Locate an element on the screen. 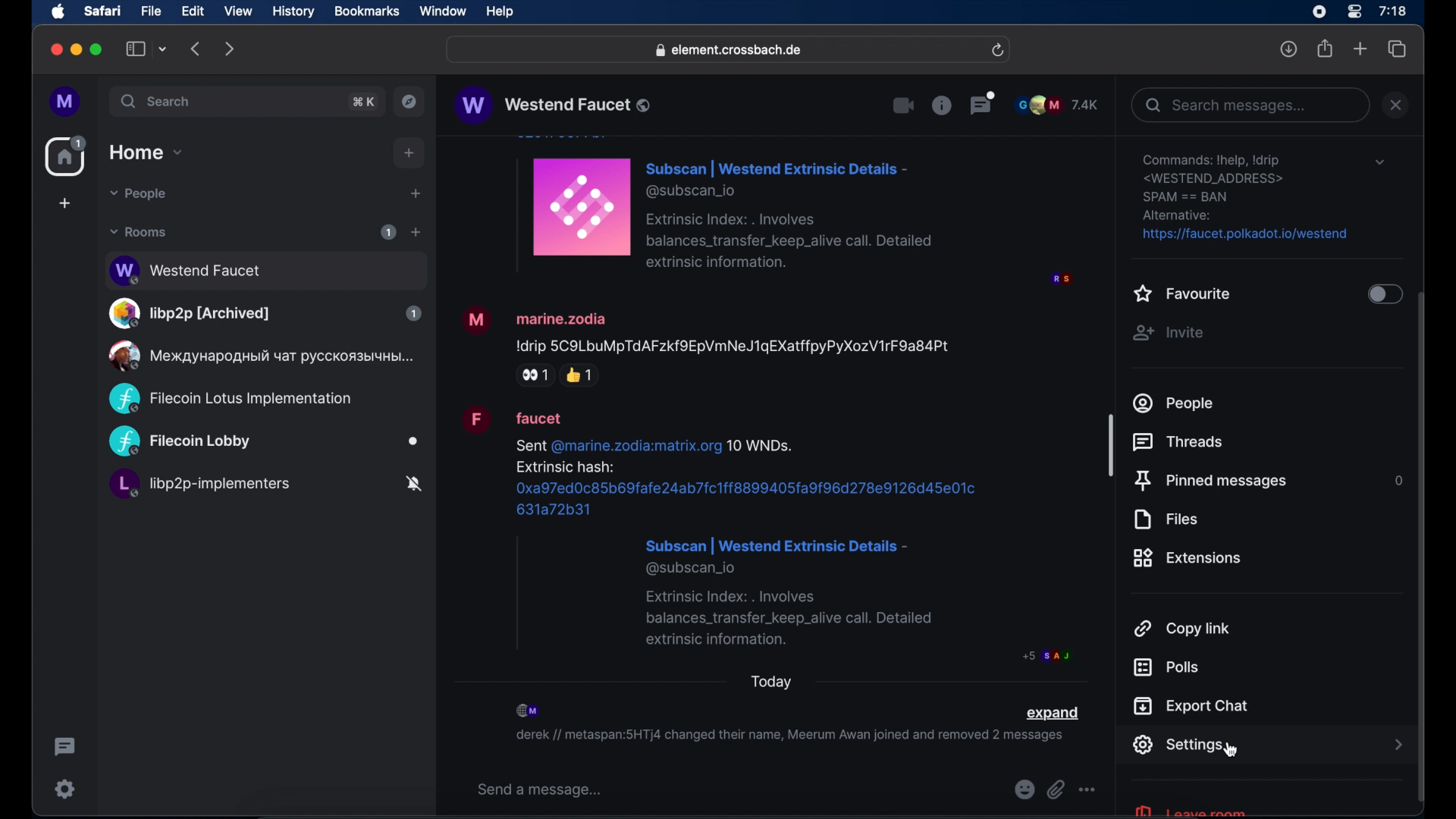  screen recorder icon is located at coordinates (1319, 12).